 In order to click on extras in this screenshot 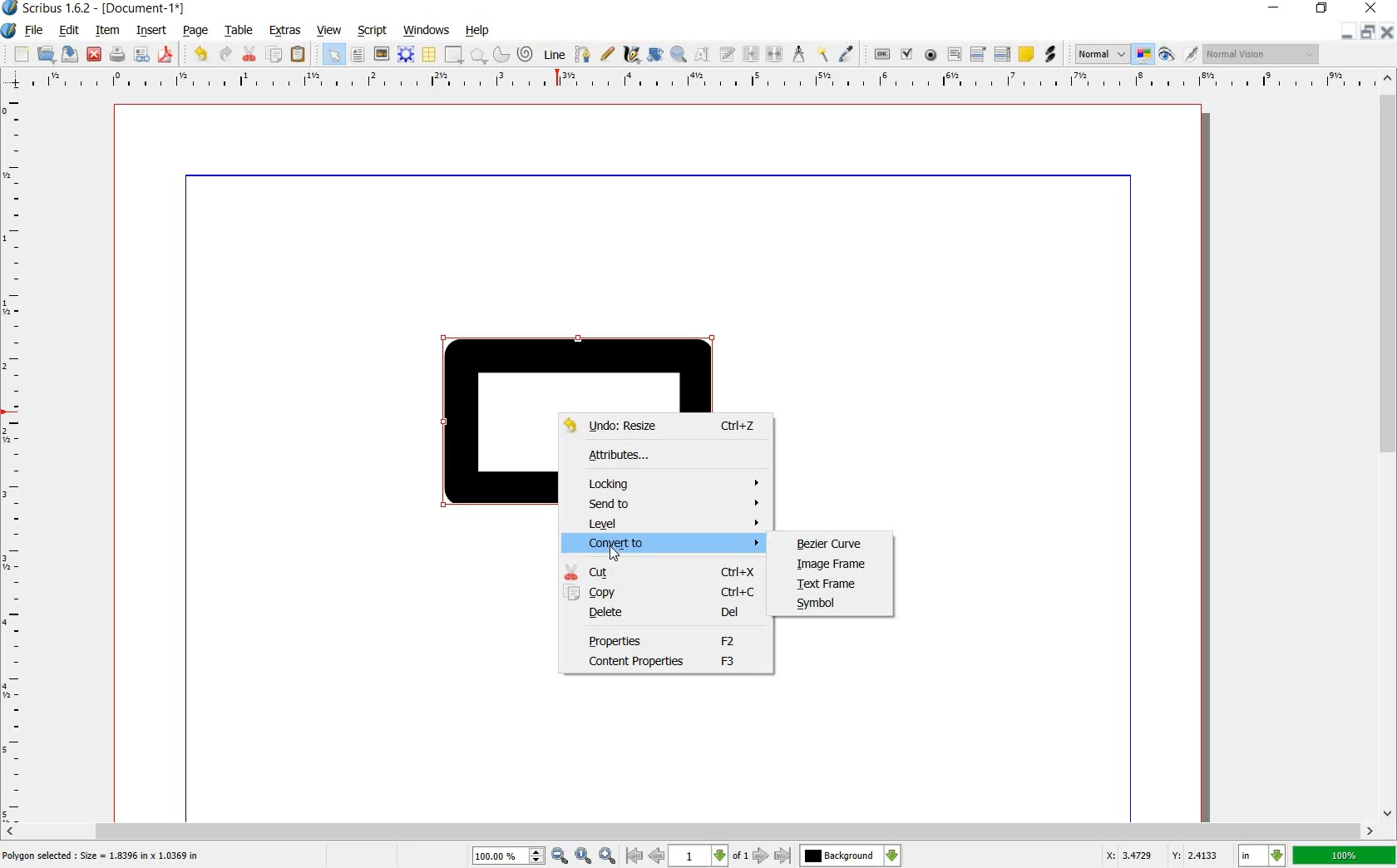, I will do `click(285, 30)`.